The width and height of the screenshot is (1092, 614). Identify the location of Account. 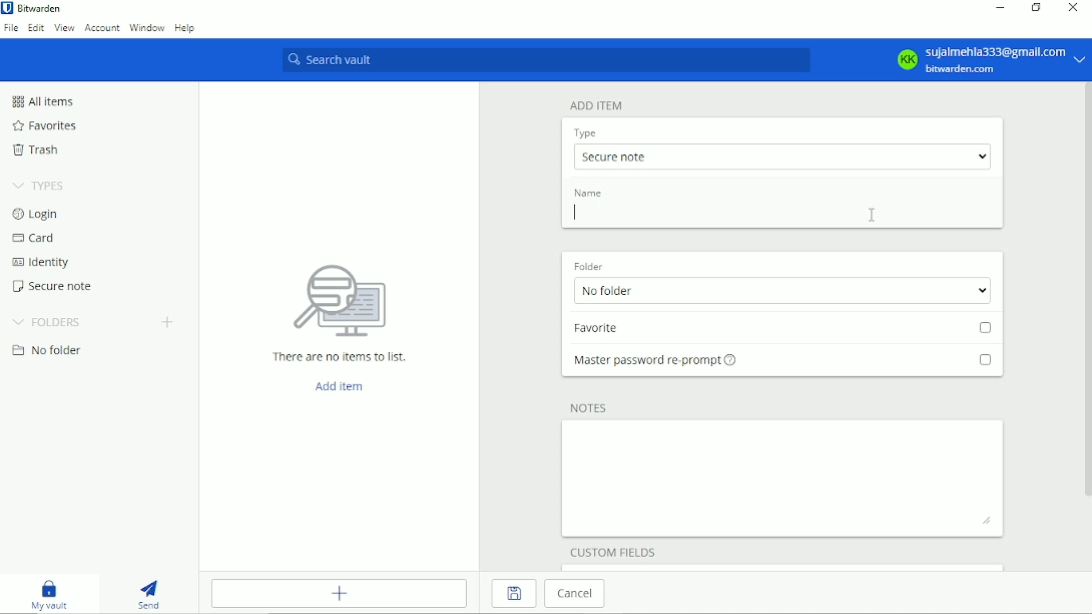
(102, 28).